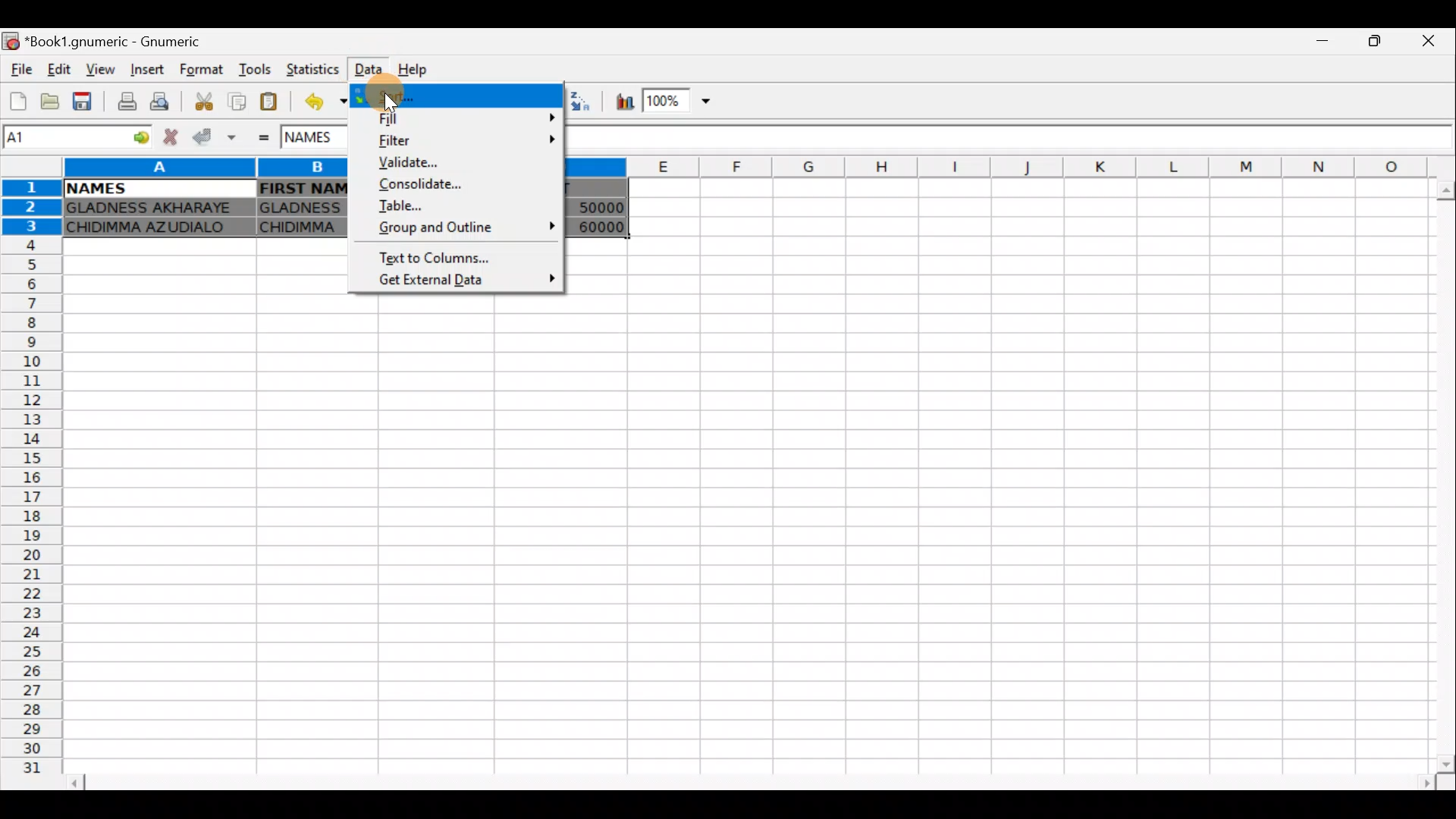  Describe the element at coordinates (579, 101) in the screenshot. I see `Sort Descending order` at that location.